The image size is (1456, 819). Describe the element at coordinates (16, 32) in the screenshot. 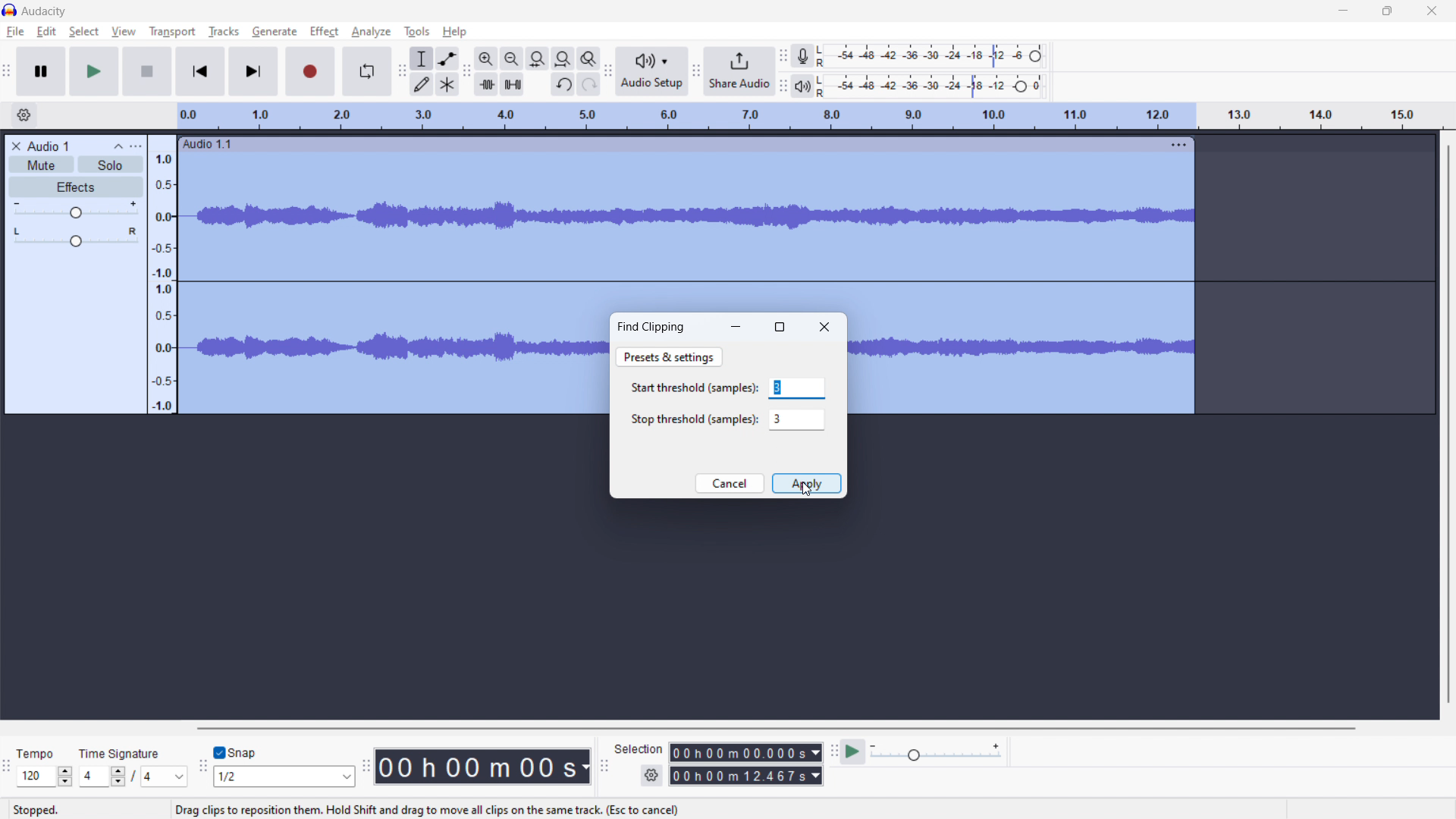

I see `file` at that location.